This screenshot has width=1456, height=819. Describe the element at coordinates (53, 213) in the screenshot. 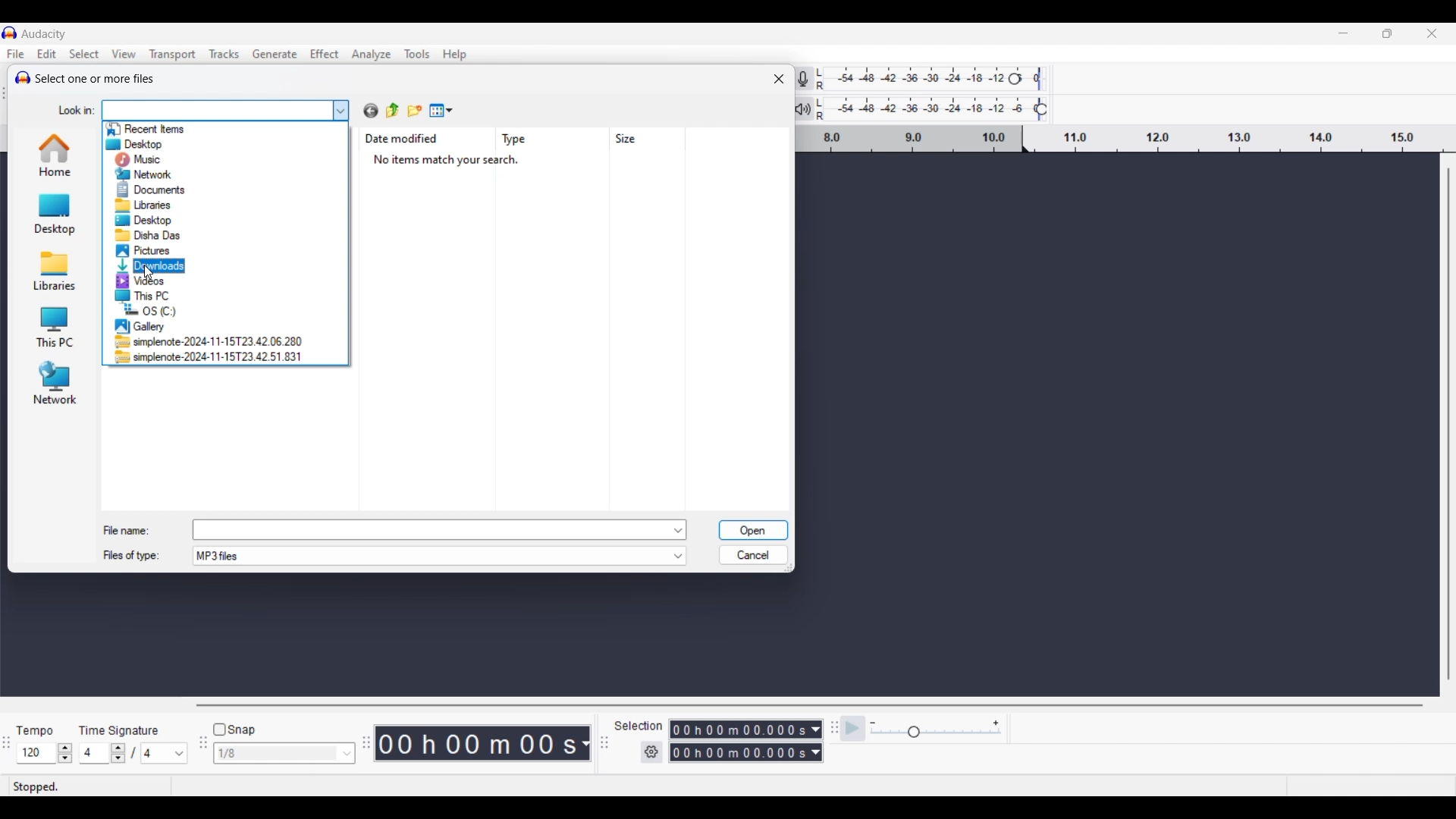

I see `Desktop folder` at that location.